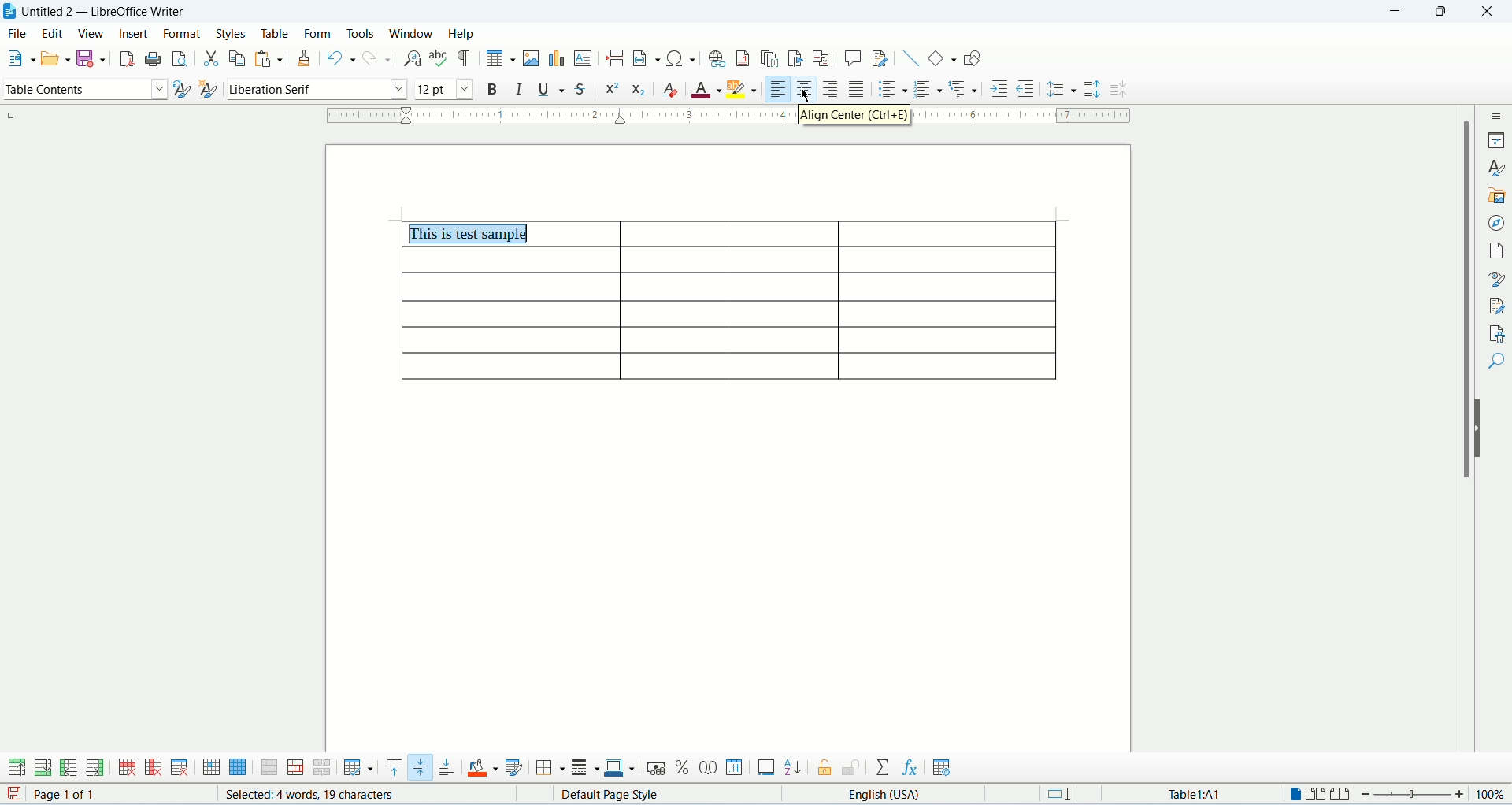  What do you see at coordinates (685, 767) in the screenshot?
I see `percent format` at bounding box center [685, 767].